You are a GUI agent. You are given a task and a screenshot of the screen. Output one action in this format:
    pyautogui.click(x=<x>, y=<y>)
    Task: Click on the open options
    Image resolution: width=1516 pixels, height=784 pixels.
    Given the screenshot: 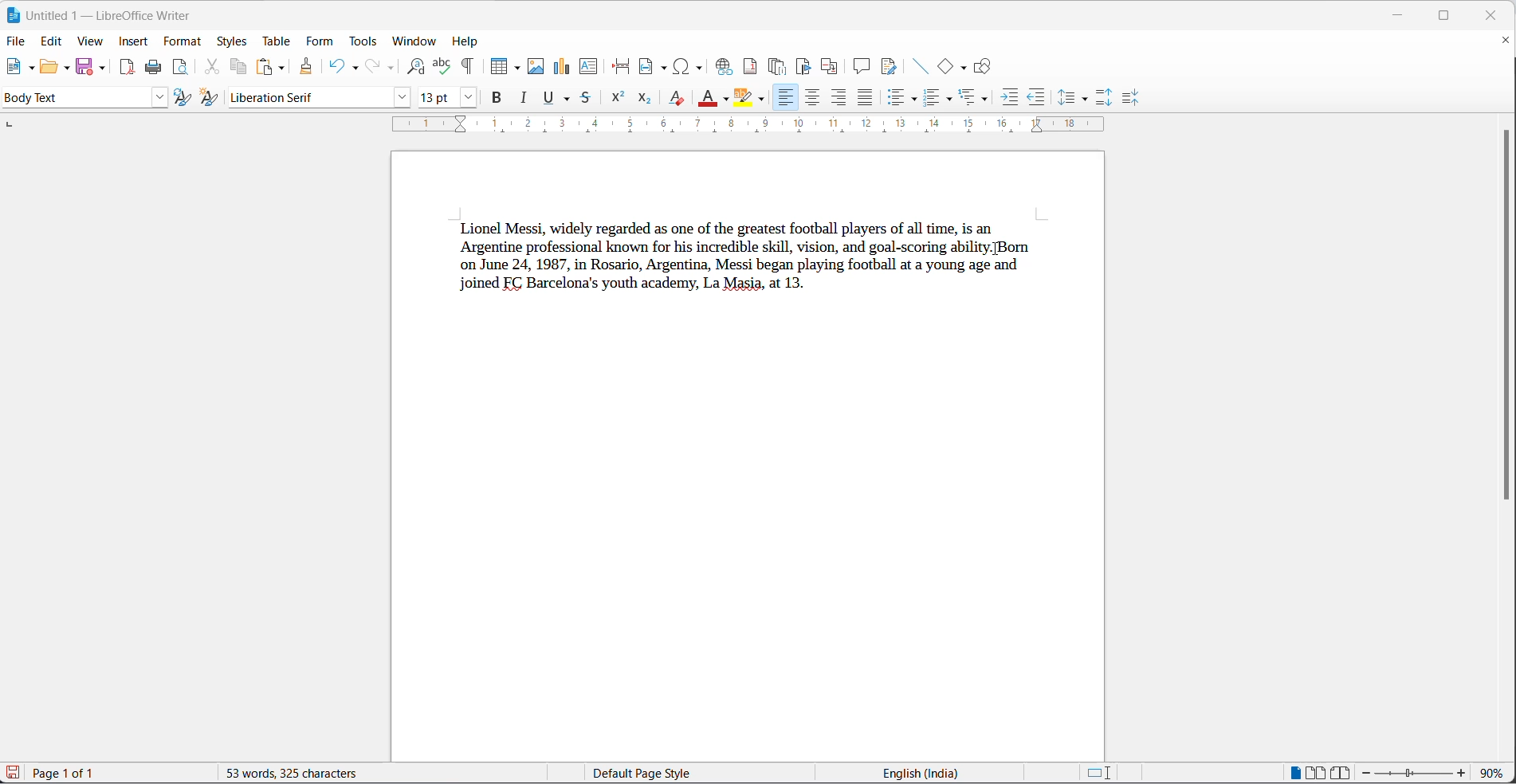 What is the action you would take?
    pyautogui.click(x=65, y=69)
    